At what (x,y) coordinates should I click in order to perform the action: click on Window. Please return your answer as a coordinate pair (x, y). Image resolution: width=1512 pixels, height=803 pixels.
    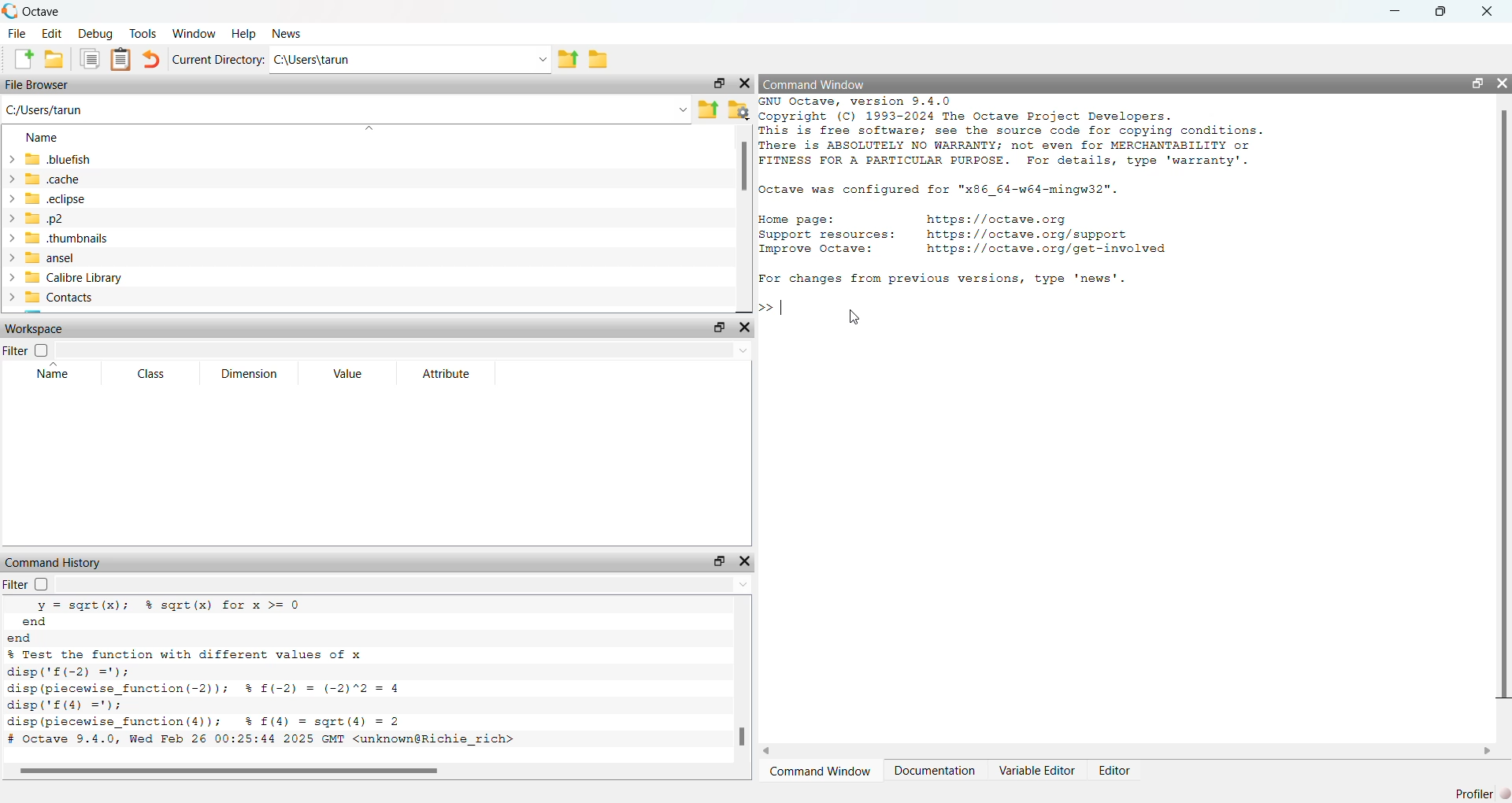
    Looking at the image, I should click on (195, 32).